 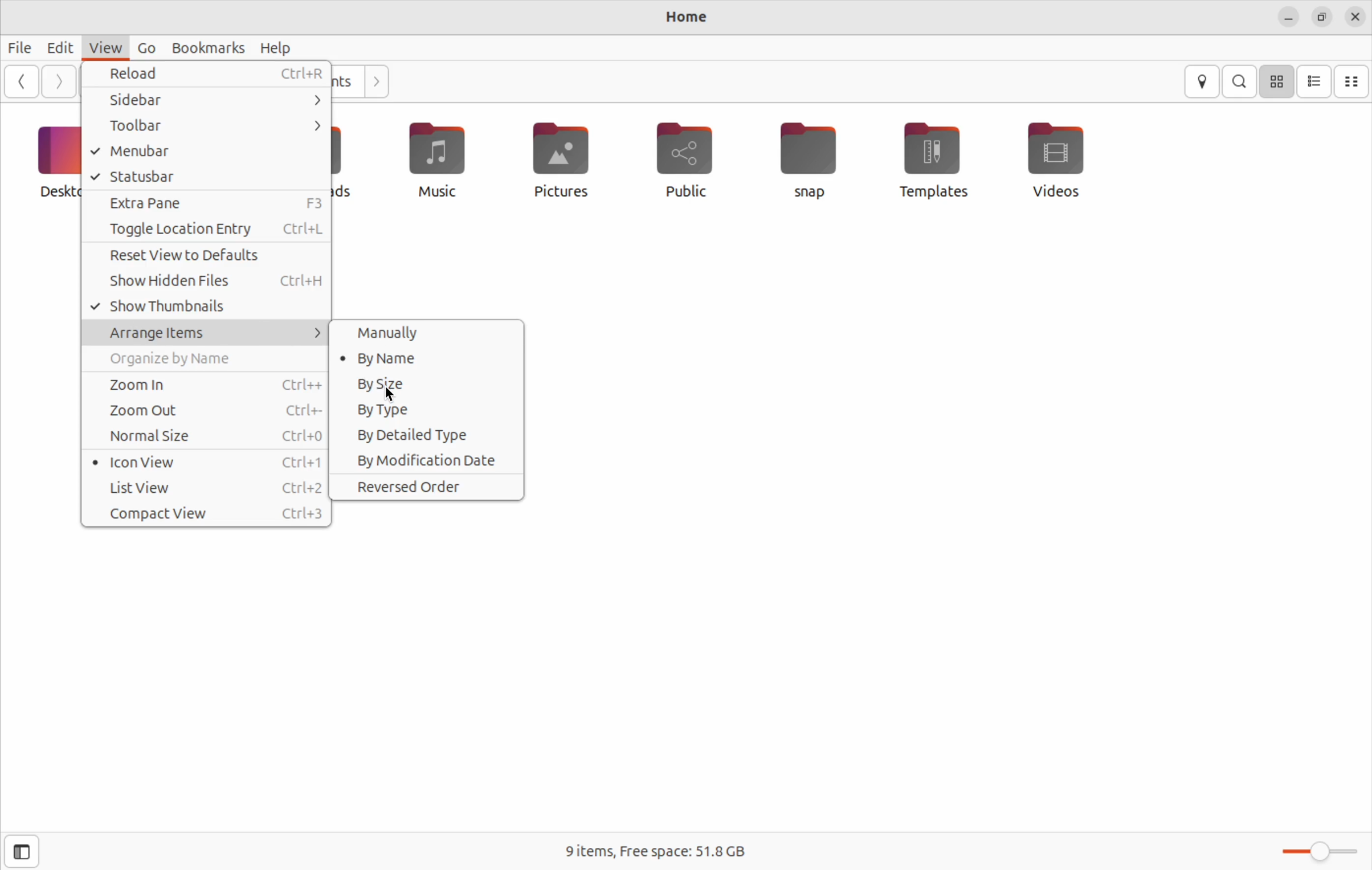 I want to click on by size, so click(x=434, y=385).